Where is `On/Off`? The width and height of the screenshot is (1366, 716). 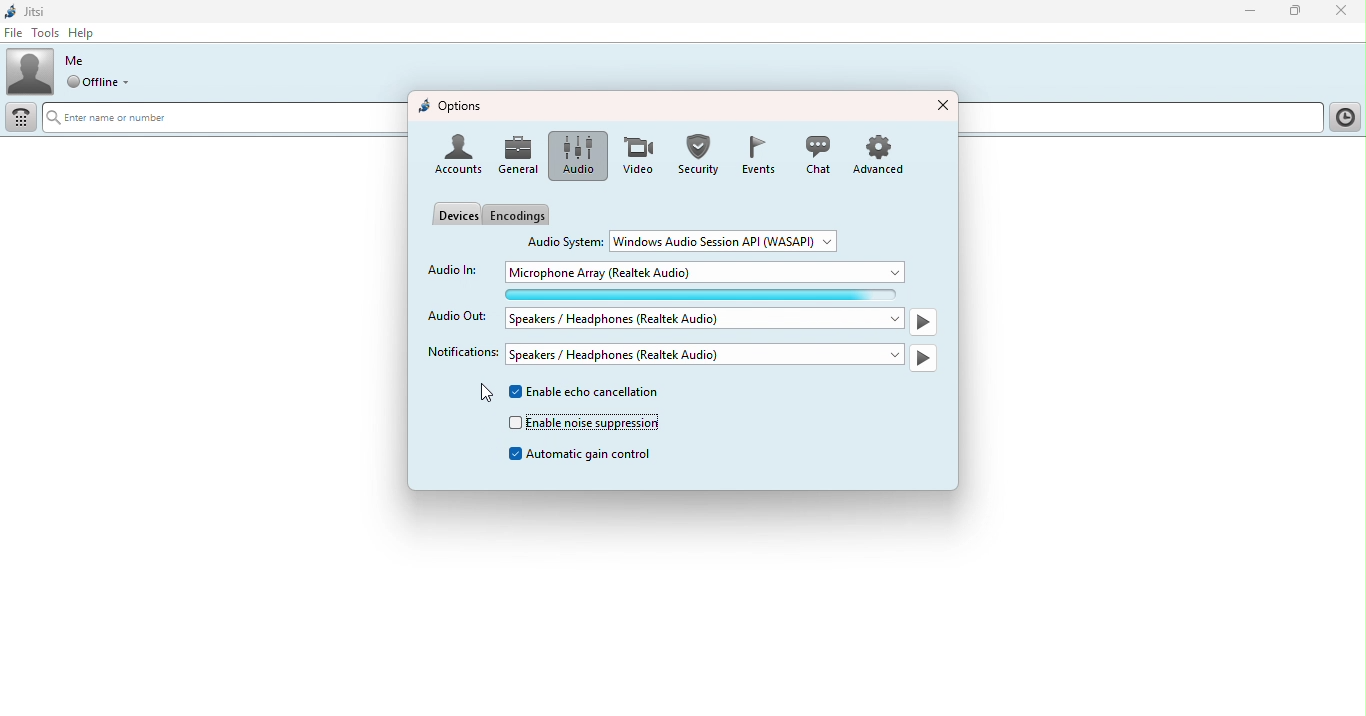 On/Off is located at coordinates (923, 324).